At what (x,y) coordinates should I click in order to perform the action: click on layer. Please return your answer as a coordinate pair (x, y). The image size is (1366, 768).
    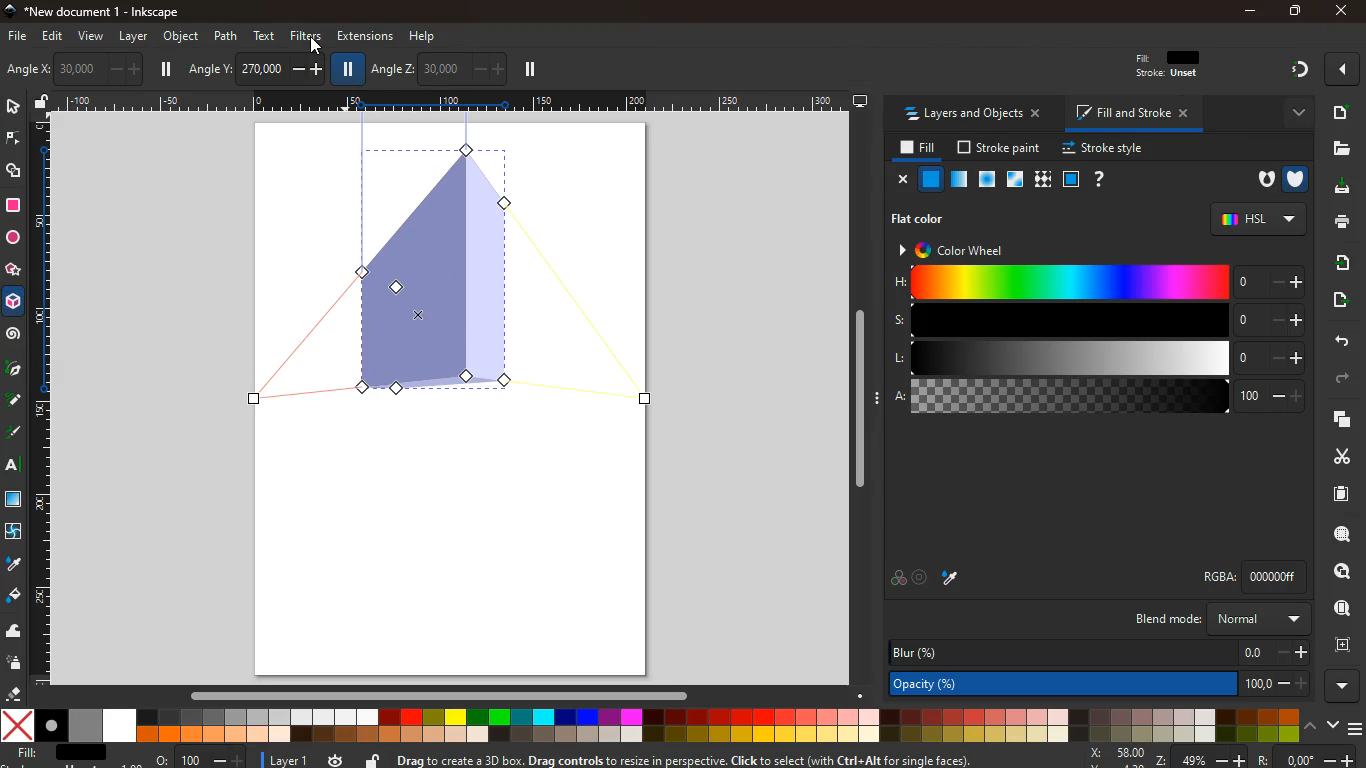
    Looking at the image, I should click on (133, 36).